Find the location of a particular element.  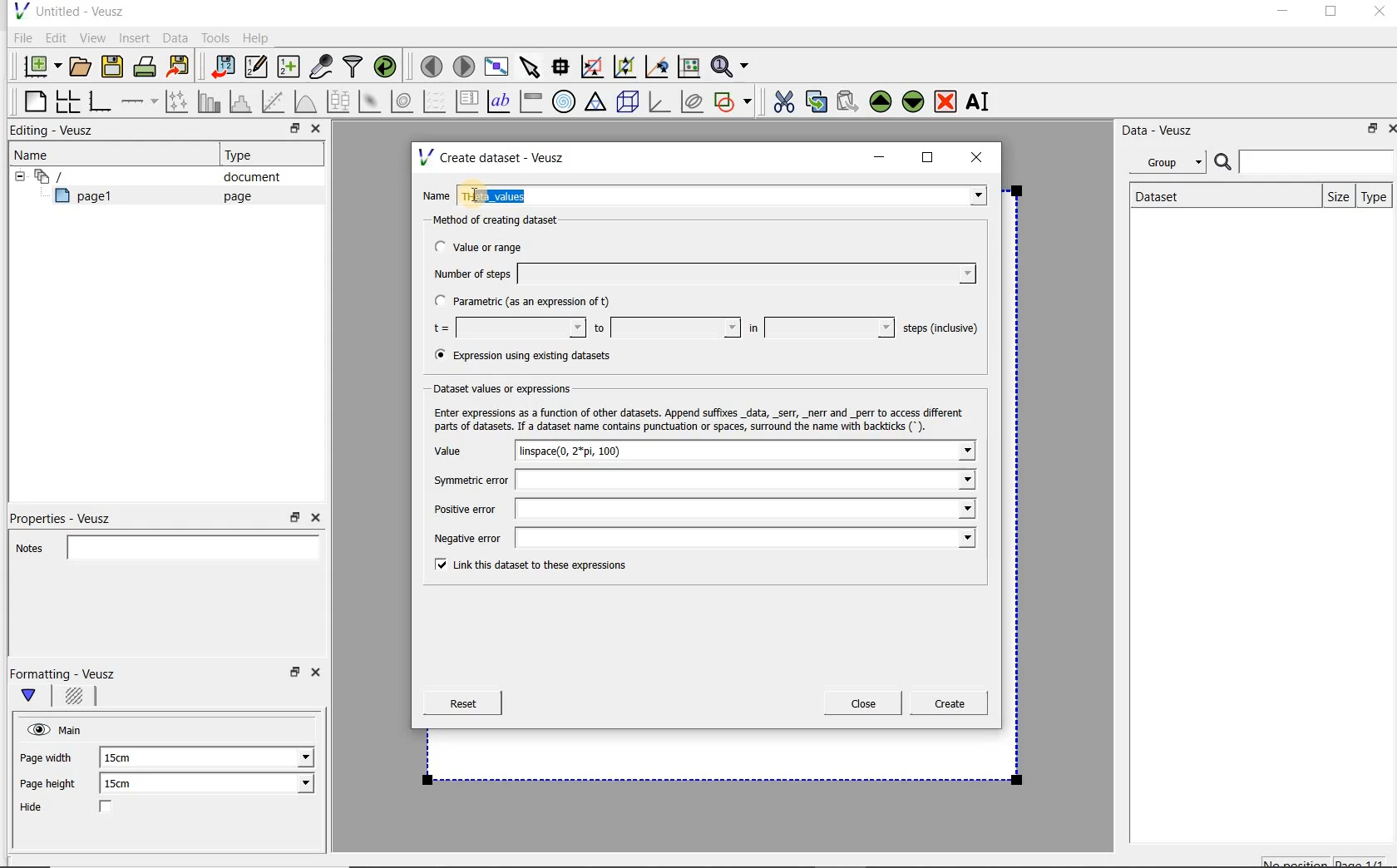

plot key is located at coordinates (468, 101).